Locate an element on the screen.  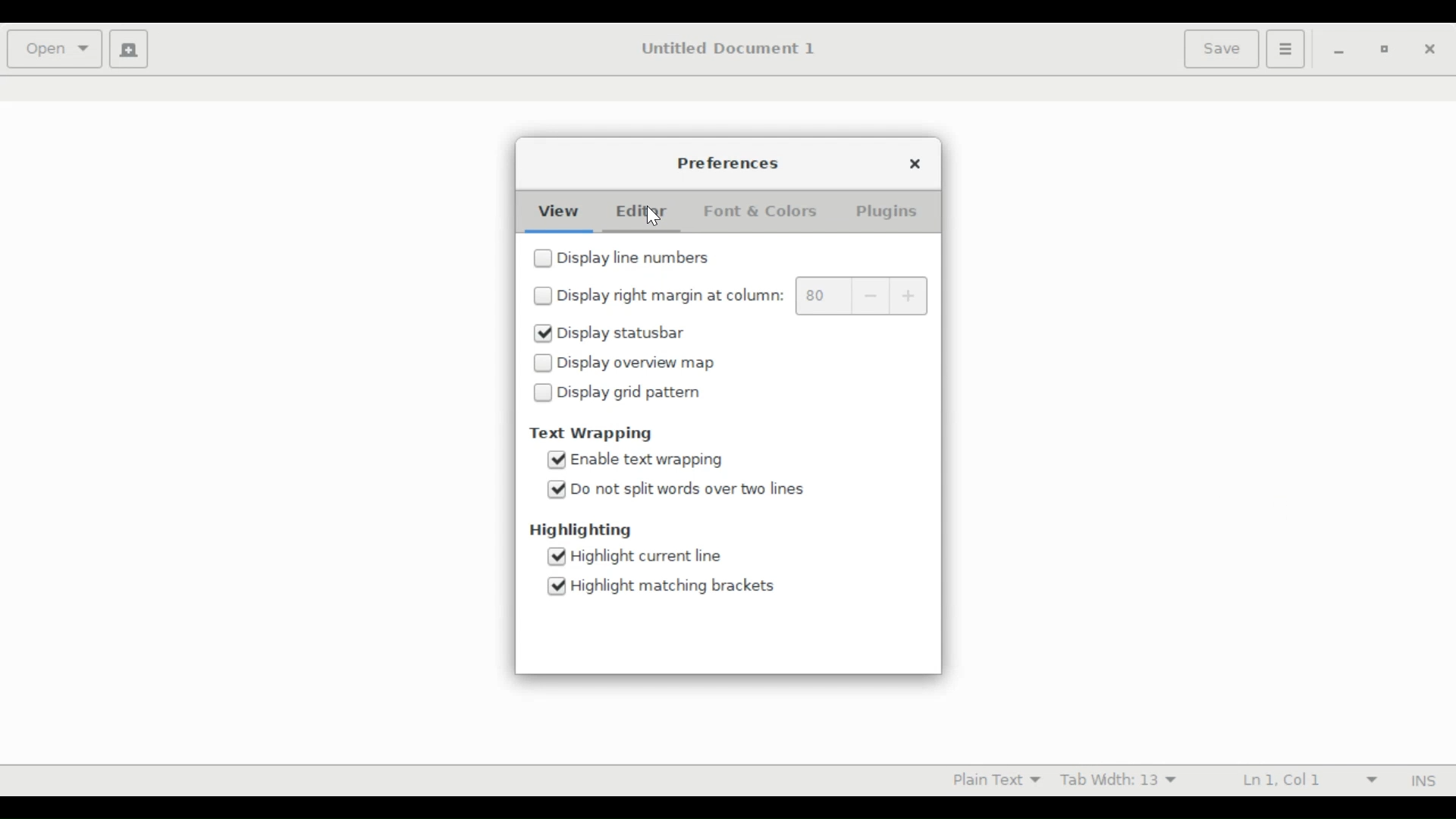
Font & Colors is located at coordinates (761, 211).